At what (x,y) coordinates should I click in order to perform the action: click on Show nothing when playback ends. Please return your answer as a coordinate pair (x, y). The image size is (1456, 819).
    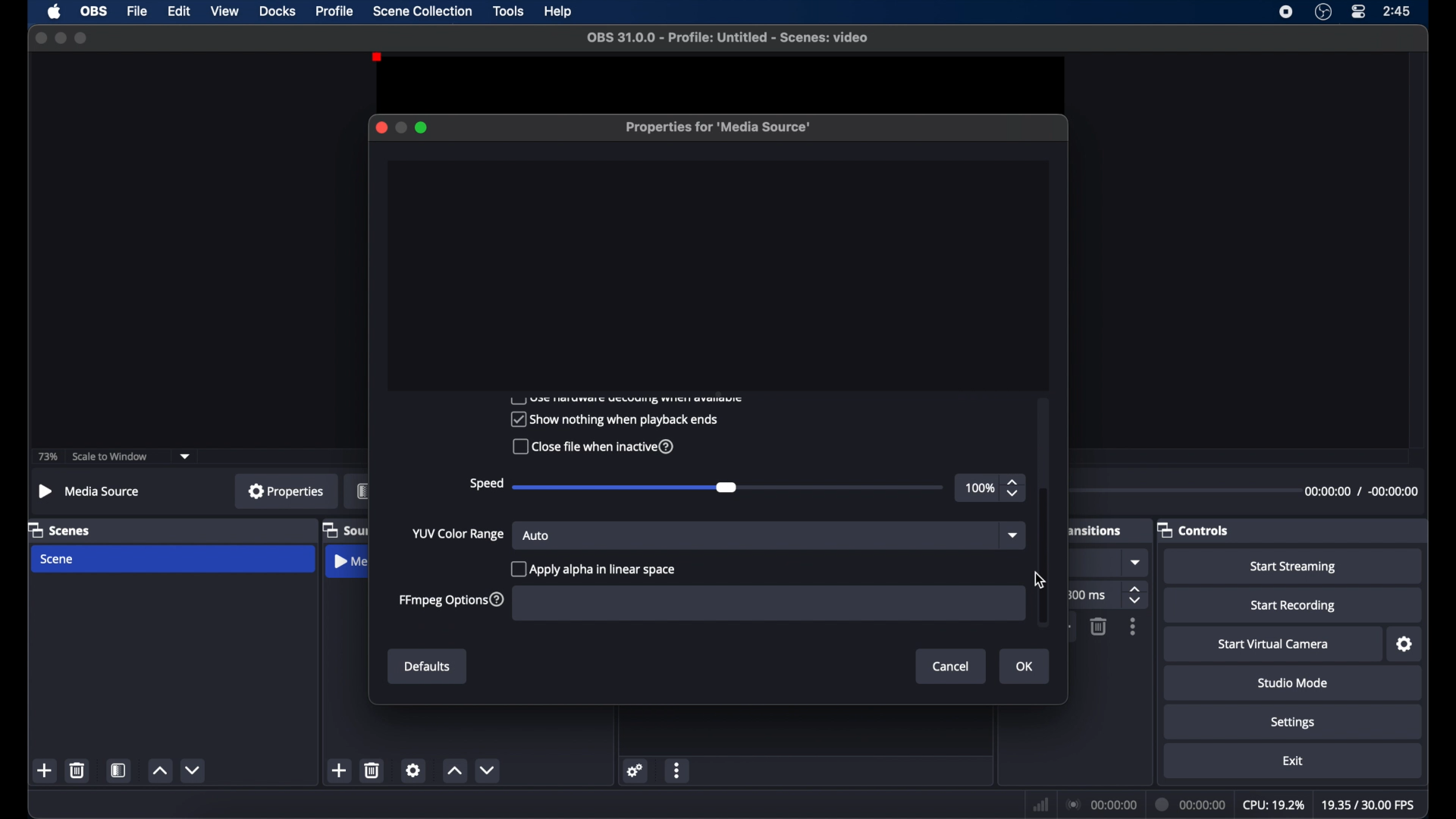
    Looking at the image, I should click on (613, 419).